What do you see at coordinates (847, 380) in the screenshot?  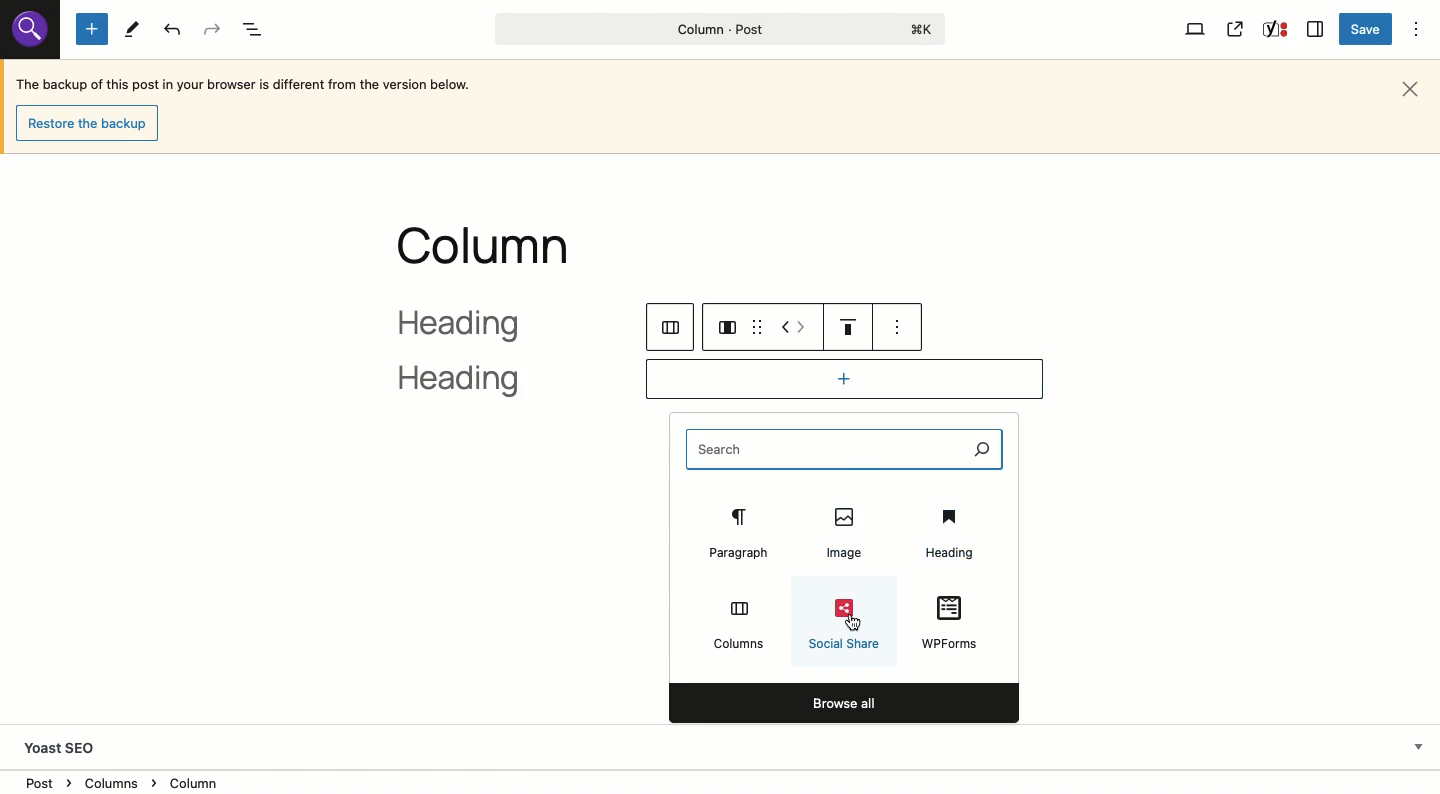 I see `Add block` at bounding box center [847, 380].